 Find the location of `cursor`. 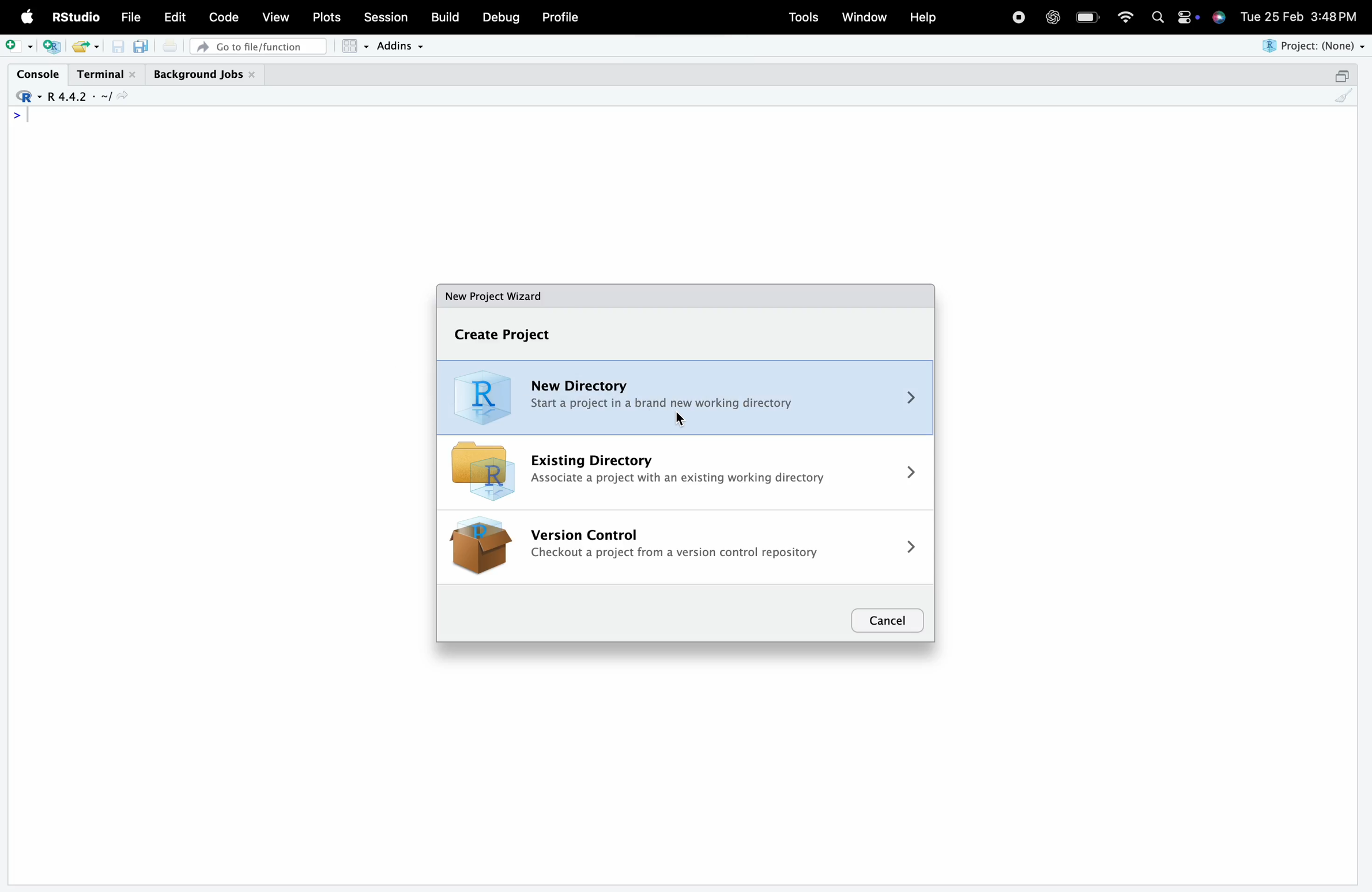

cursor is located at coordinates (677, 418).